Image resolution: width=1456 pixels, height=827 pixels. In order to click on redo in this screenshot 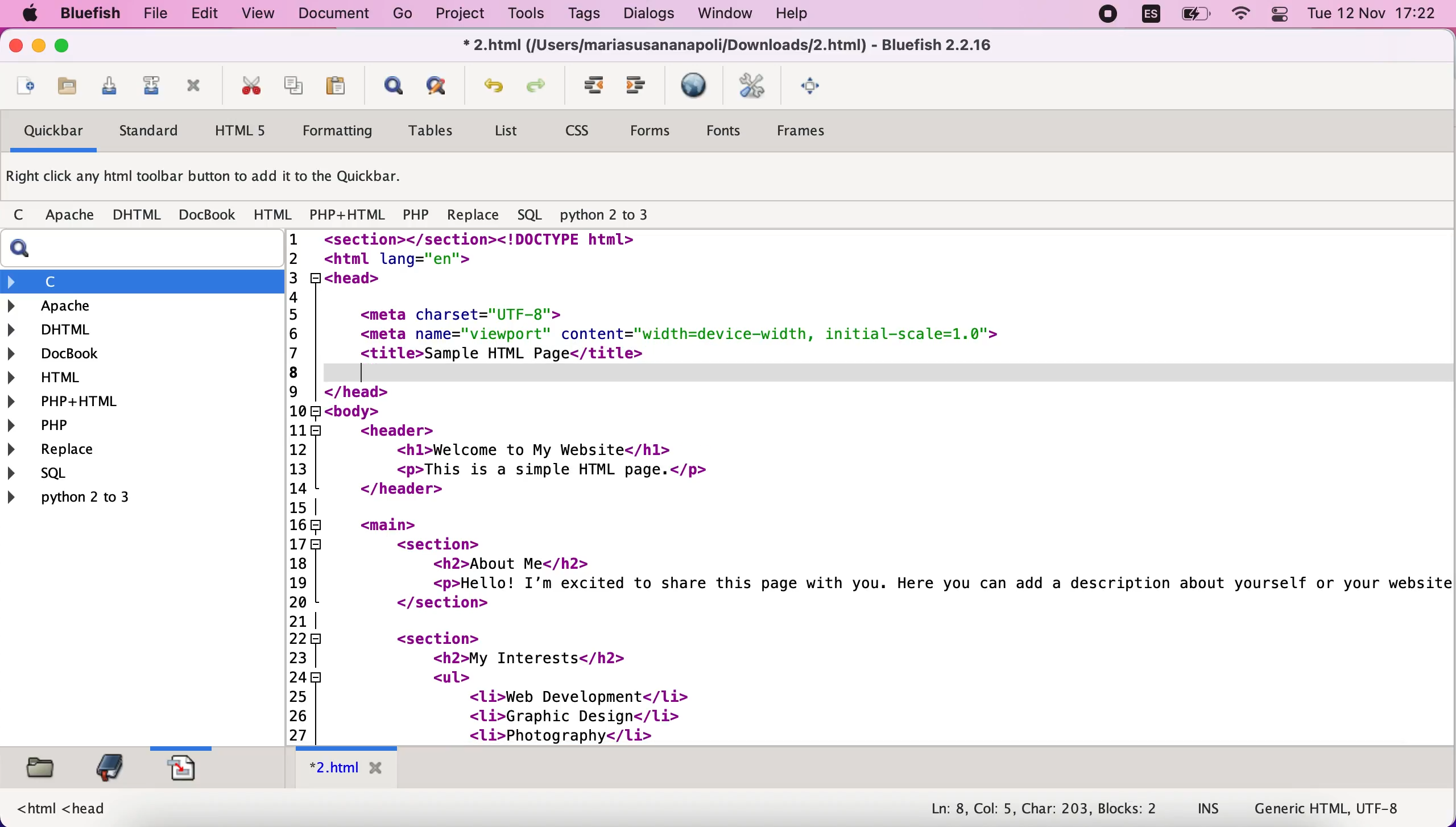, I will do `click(537, 86)`.